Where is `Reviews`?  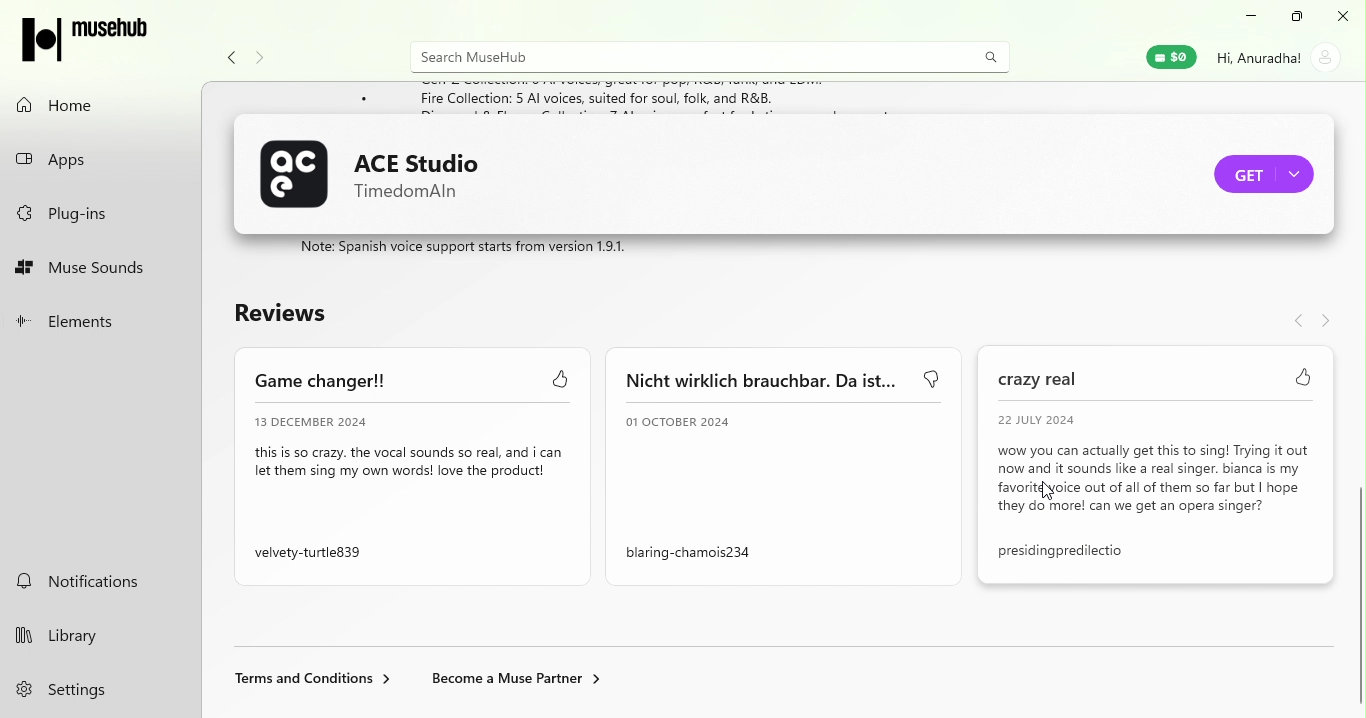
Reviews is located at coordinates (298, 314).